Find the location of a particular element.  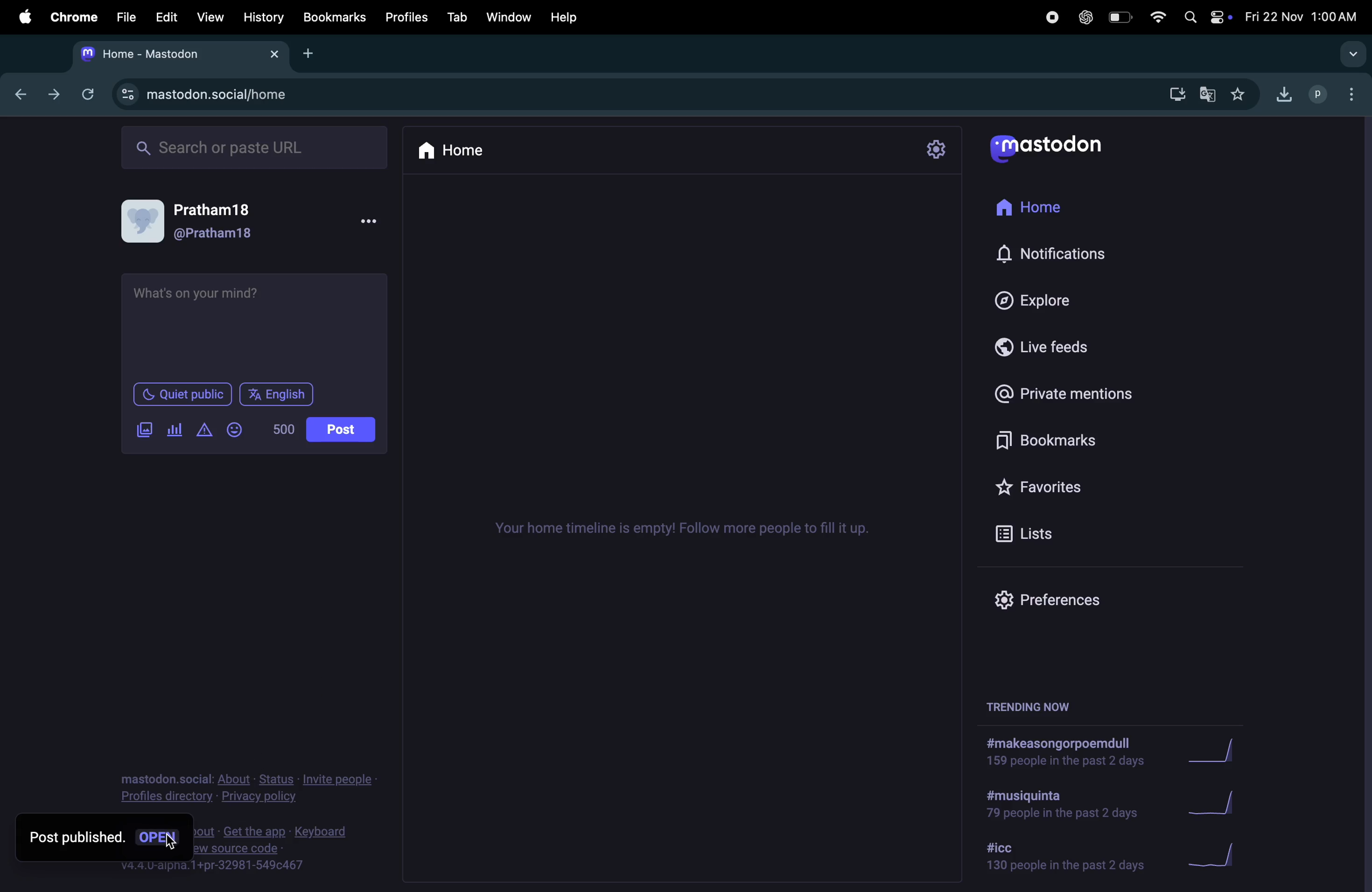

notifications is located at coordinates (1063, 252).